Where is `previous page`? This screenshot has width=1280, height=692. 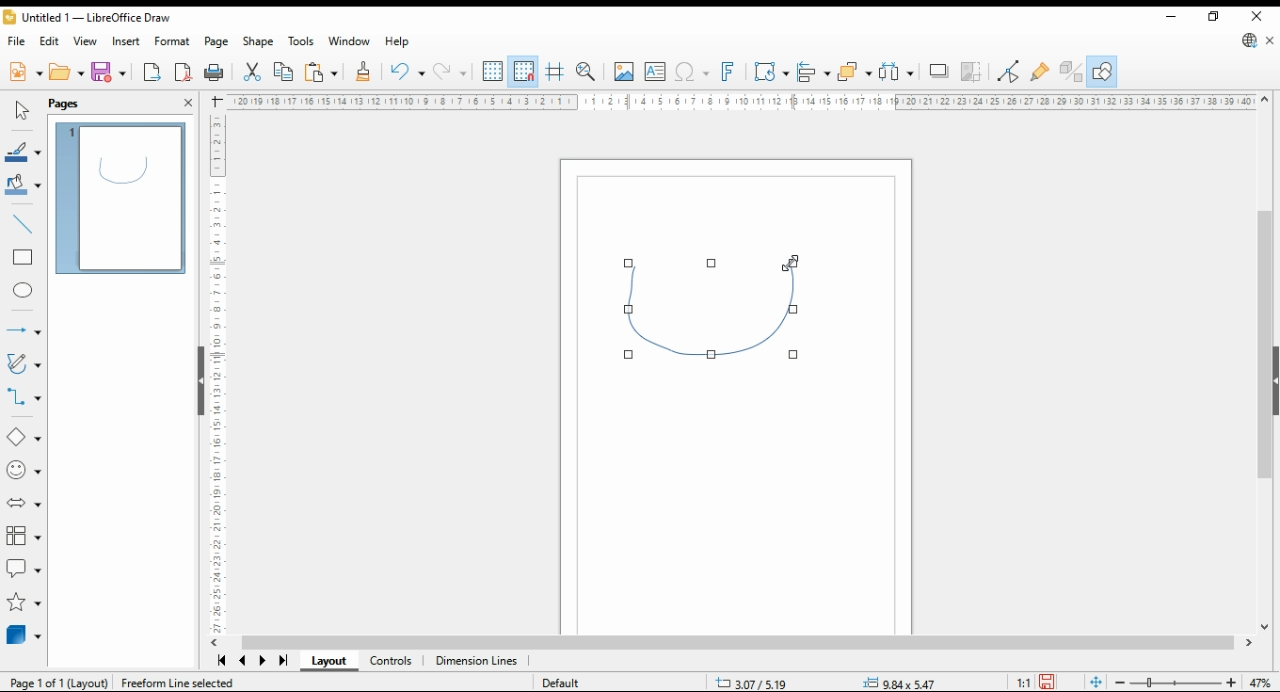
previous page is located at coordinates (244, 660).